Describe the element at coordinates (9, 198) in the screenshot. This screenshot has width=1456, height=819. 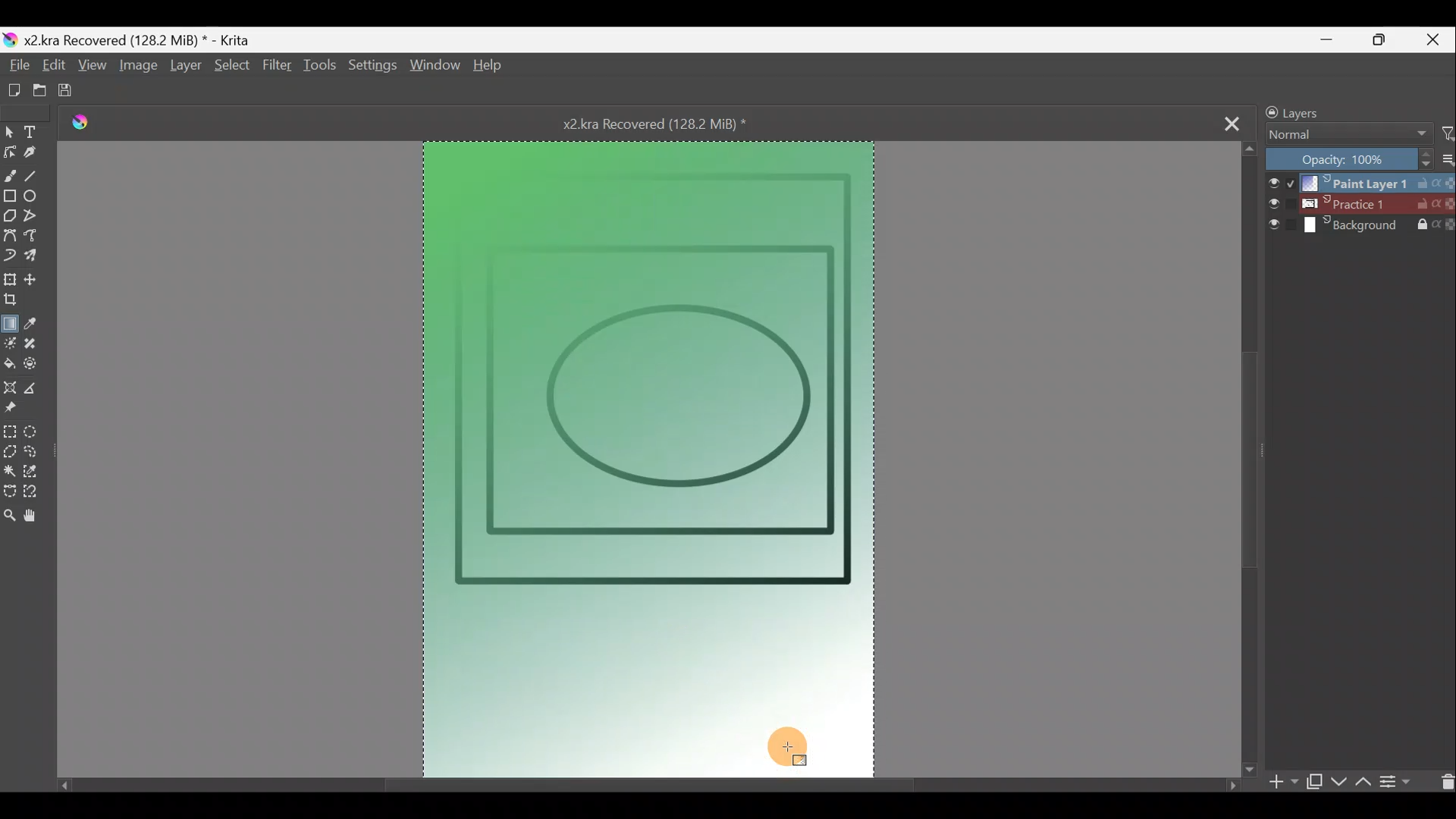
I see `Rectangle tool` at that location.